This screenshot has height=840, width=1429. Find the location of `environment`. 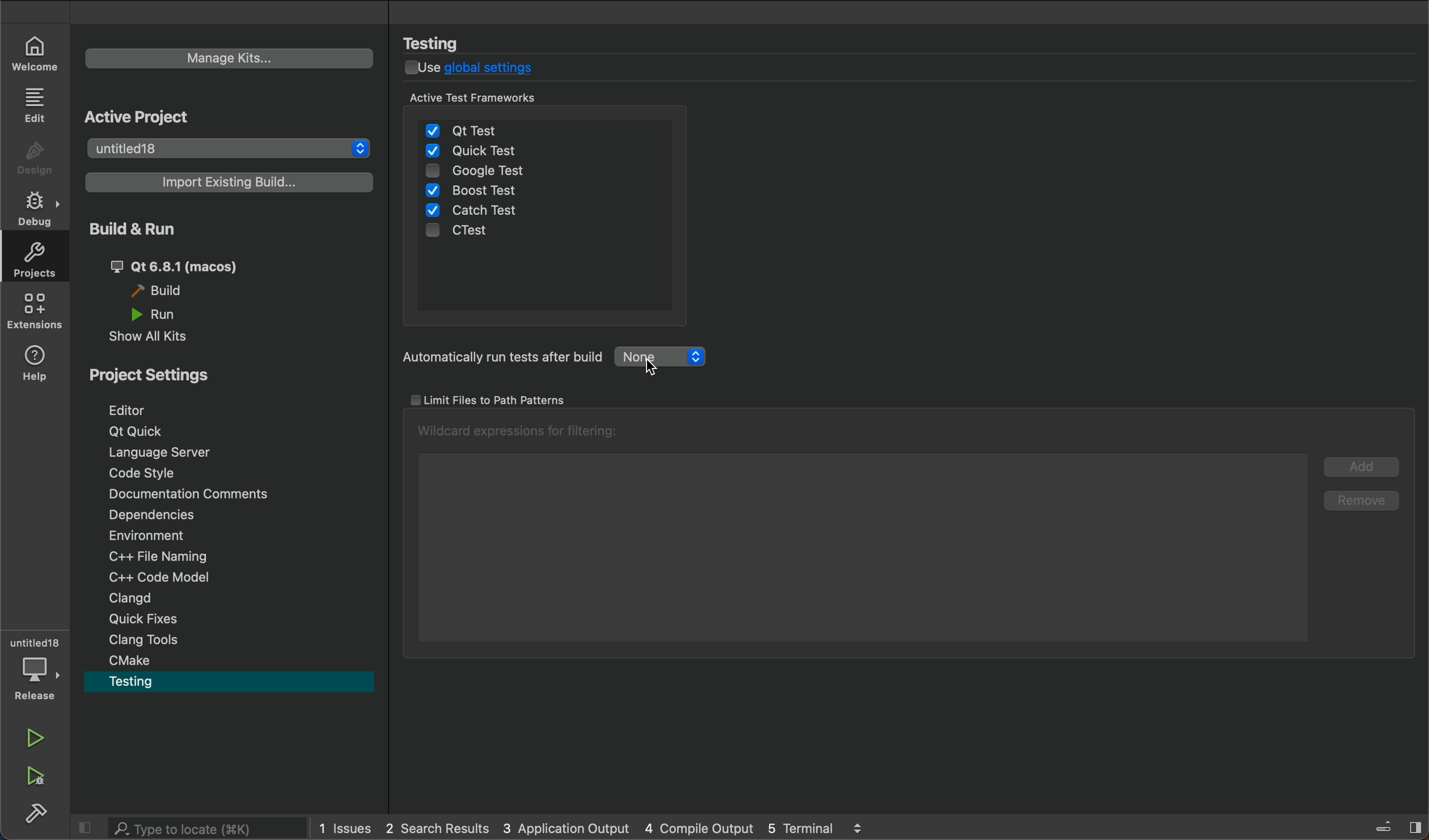

environment is located at coordinates (166, 536).